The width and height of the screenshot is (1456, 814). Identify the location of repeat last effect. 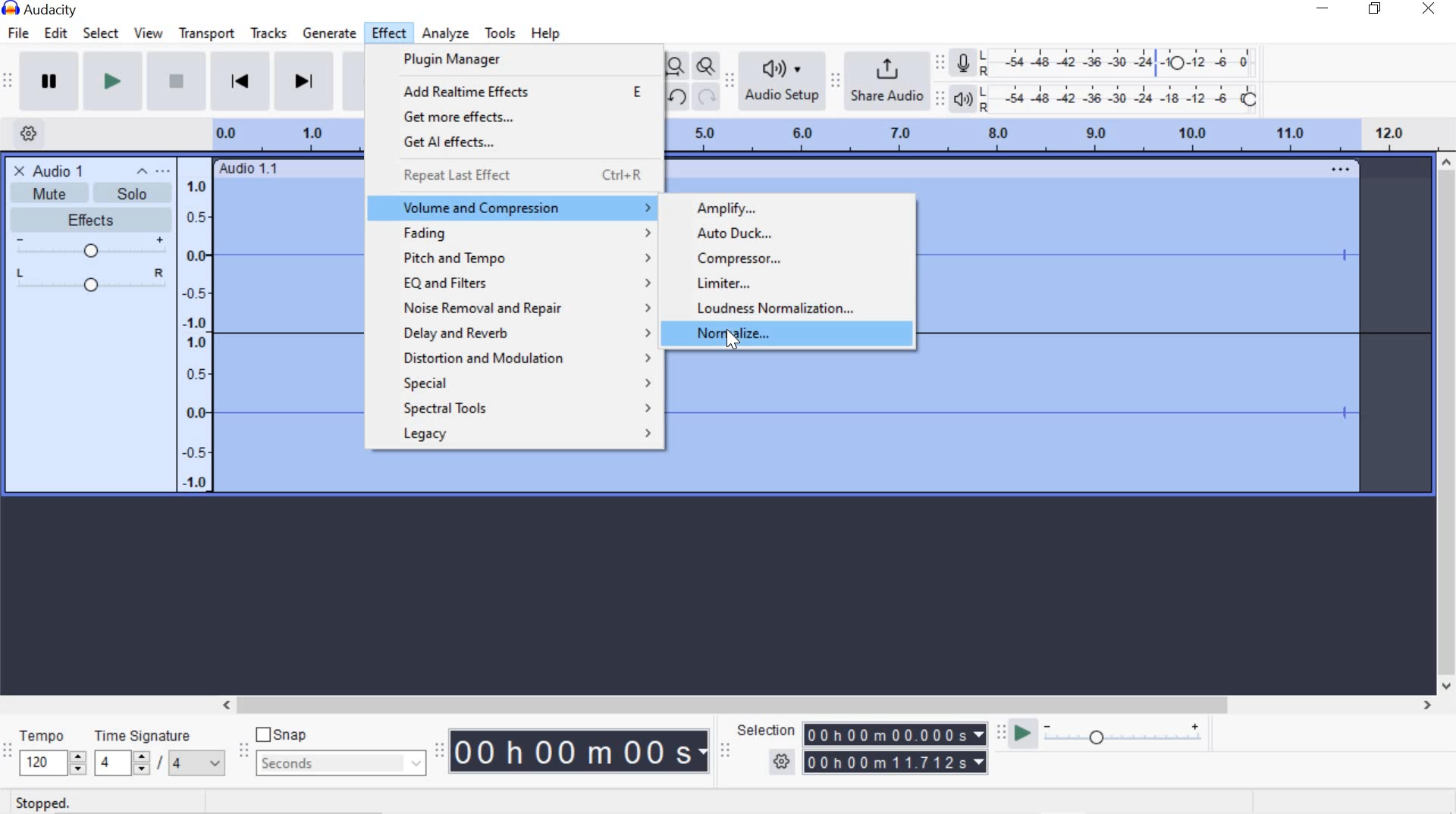
(522, 177).